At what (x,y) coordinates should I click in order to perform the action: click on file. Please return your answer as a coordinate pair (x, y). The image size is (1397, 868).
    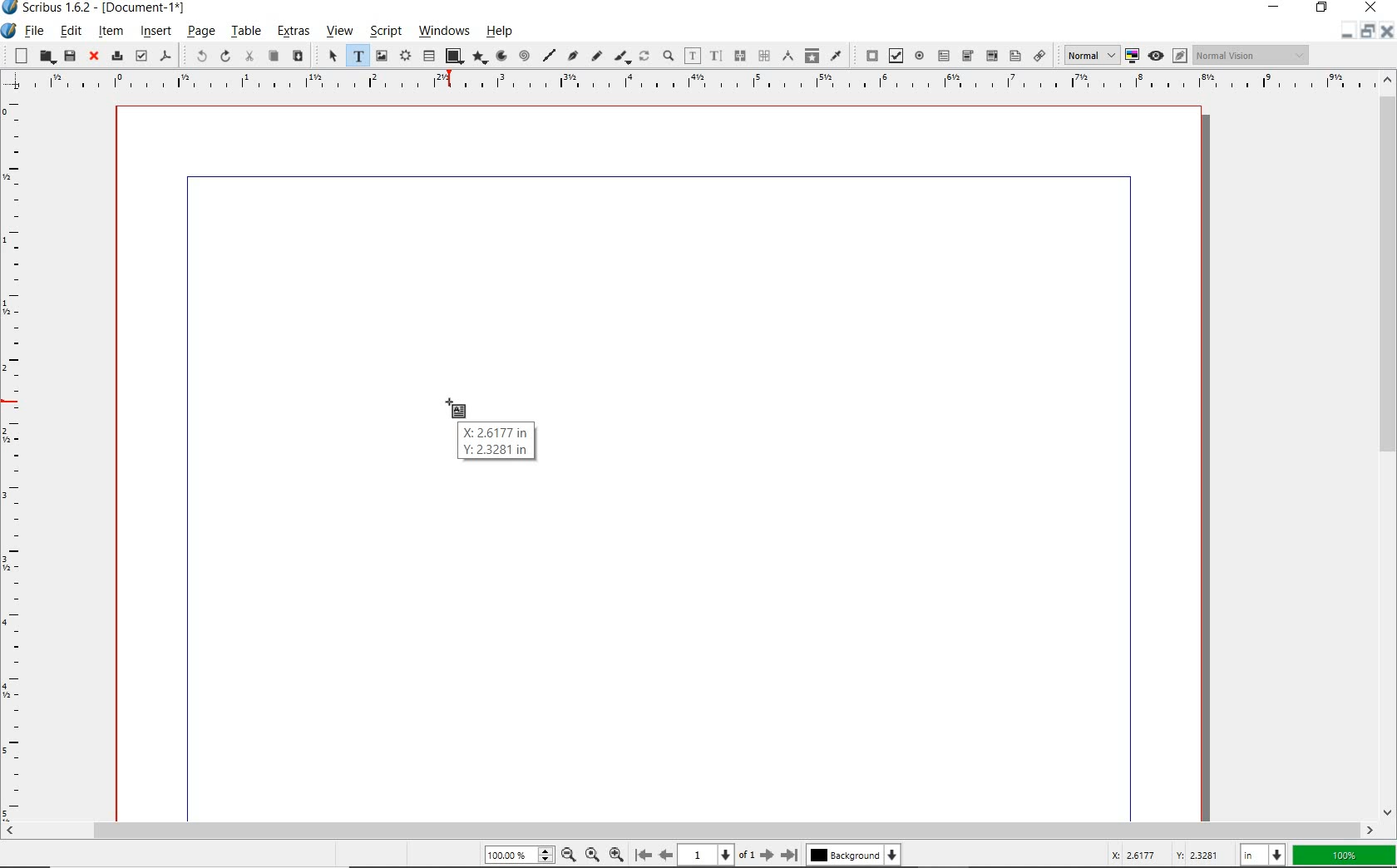
    Looking at the image, I should click on (34, 31).